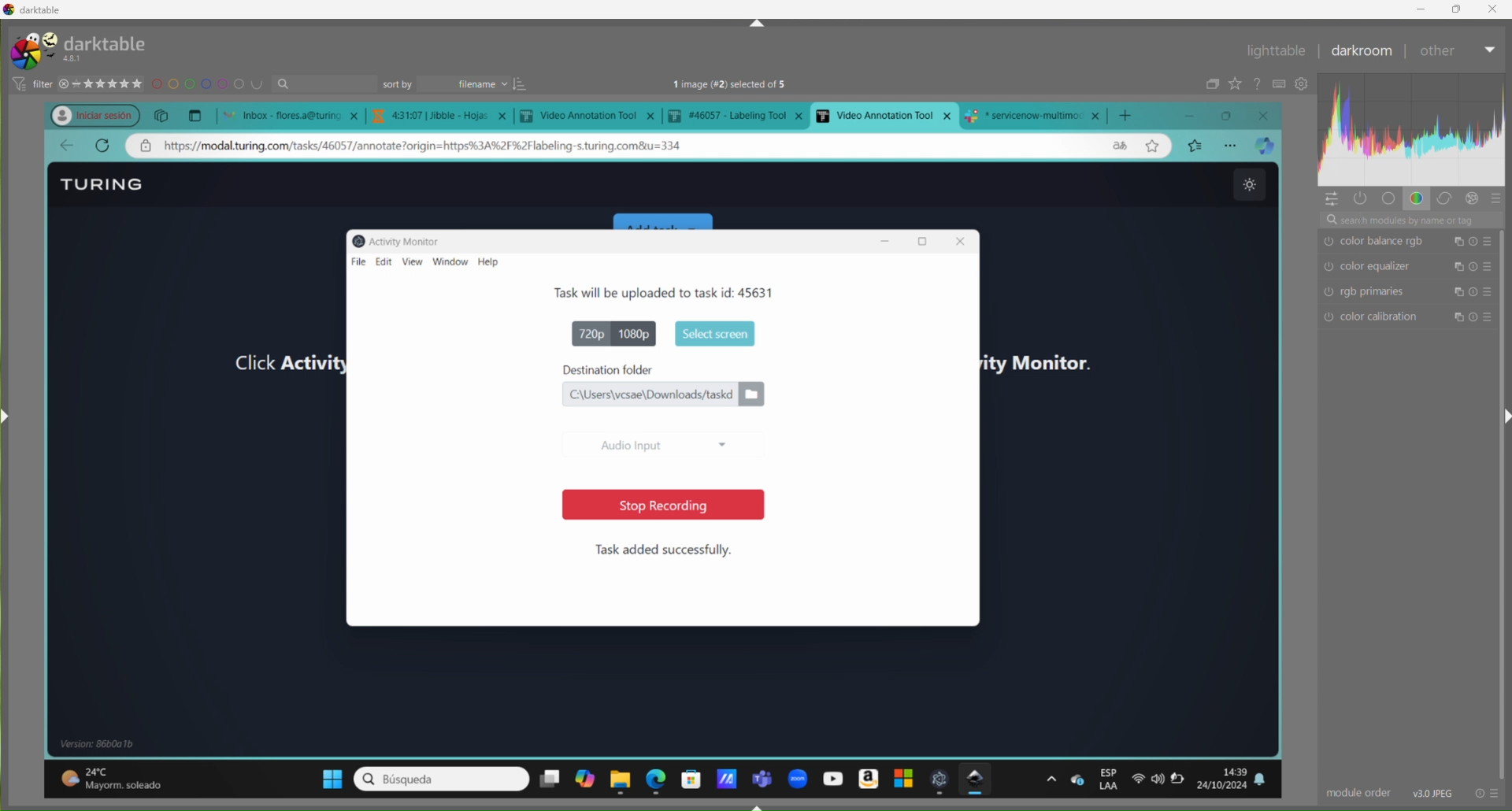 The width and height of the screenshot is (1512, 811). I want to click on edit, so click(384, 260).